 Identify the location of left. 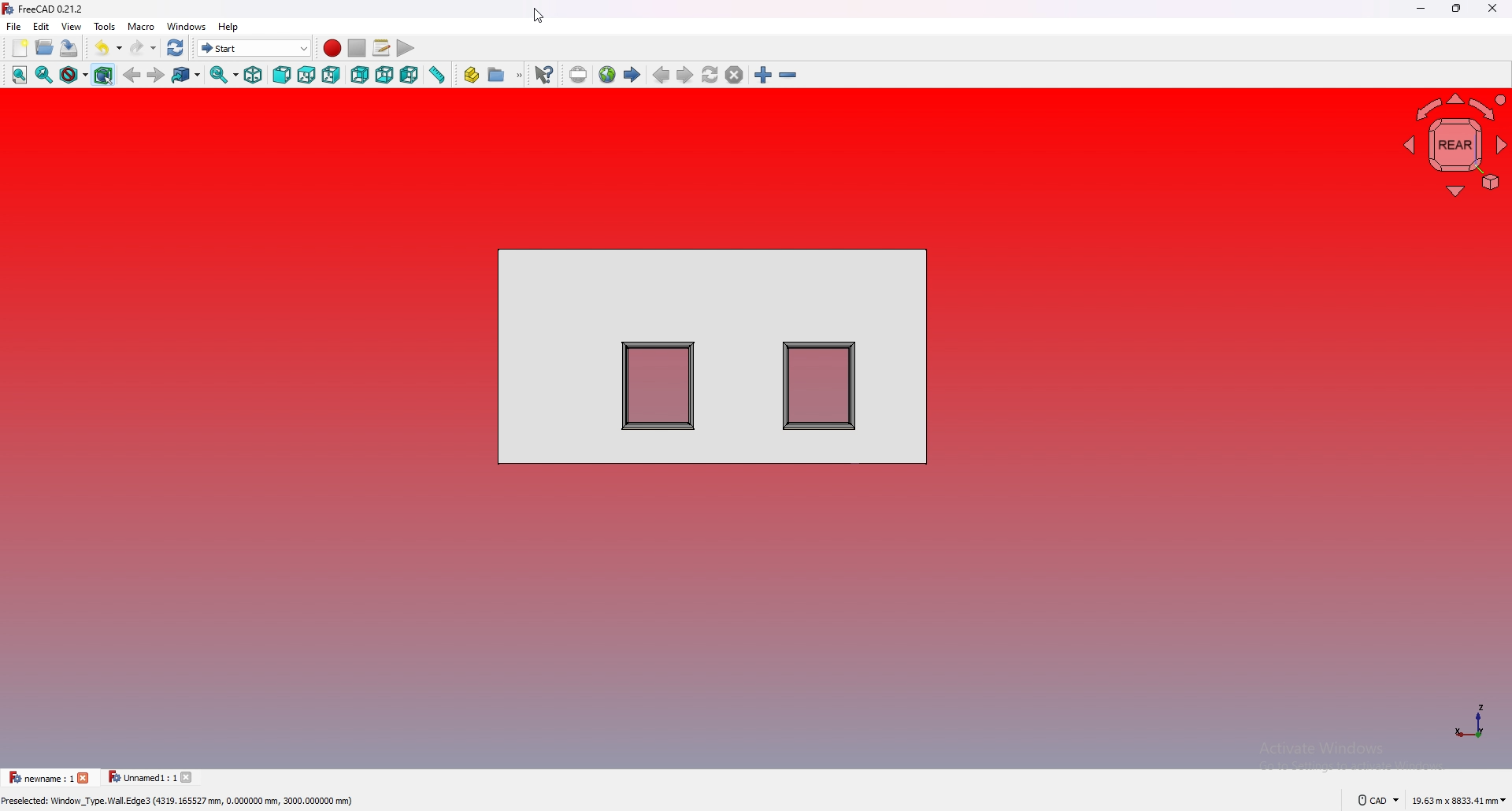
(409, 76).